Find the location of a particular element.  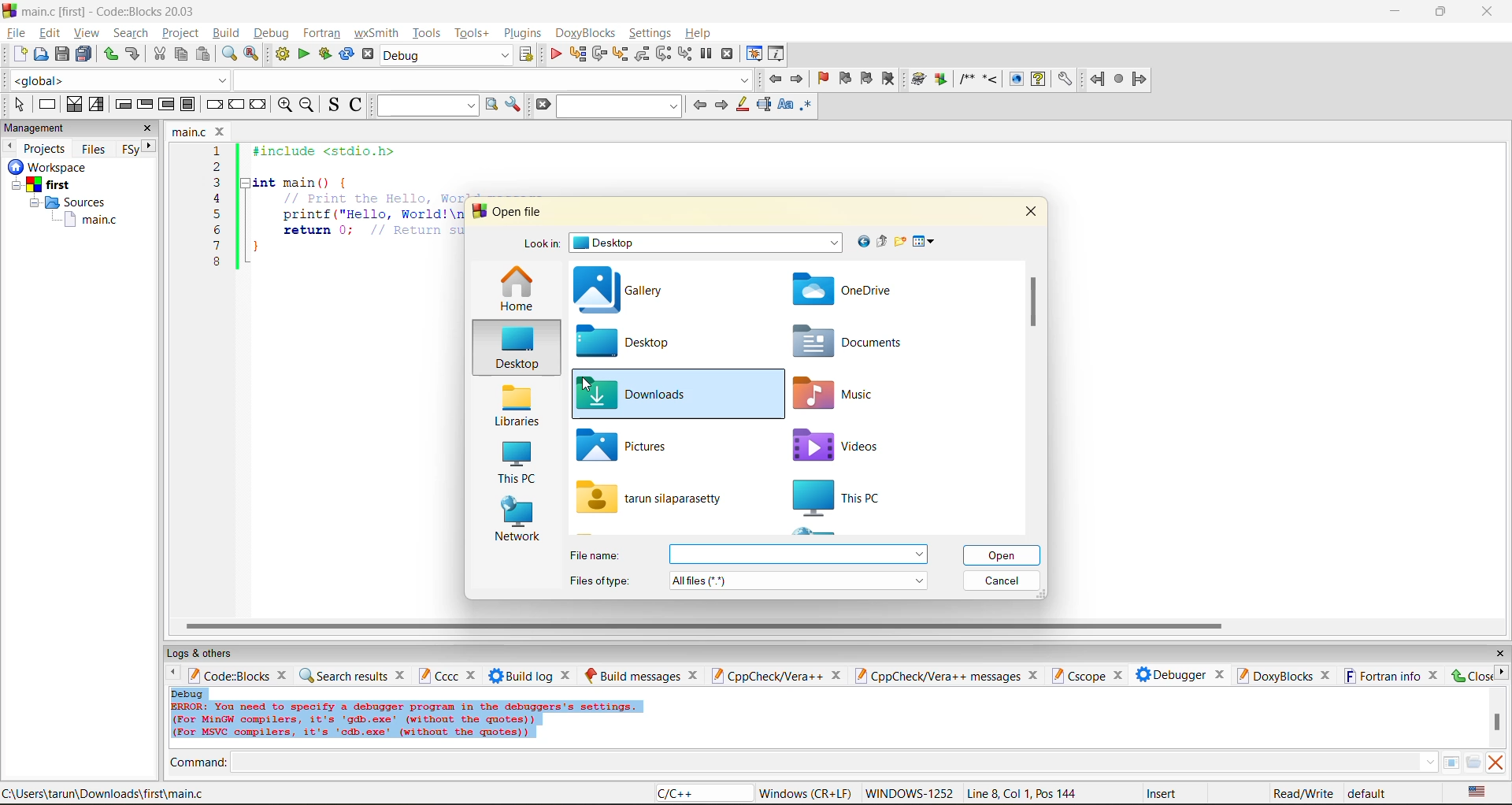

insert is located at coordinates (1165, 793).